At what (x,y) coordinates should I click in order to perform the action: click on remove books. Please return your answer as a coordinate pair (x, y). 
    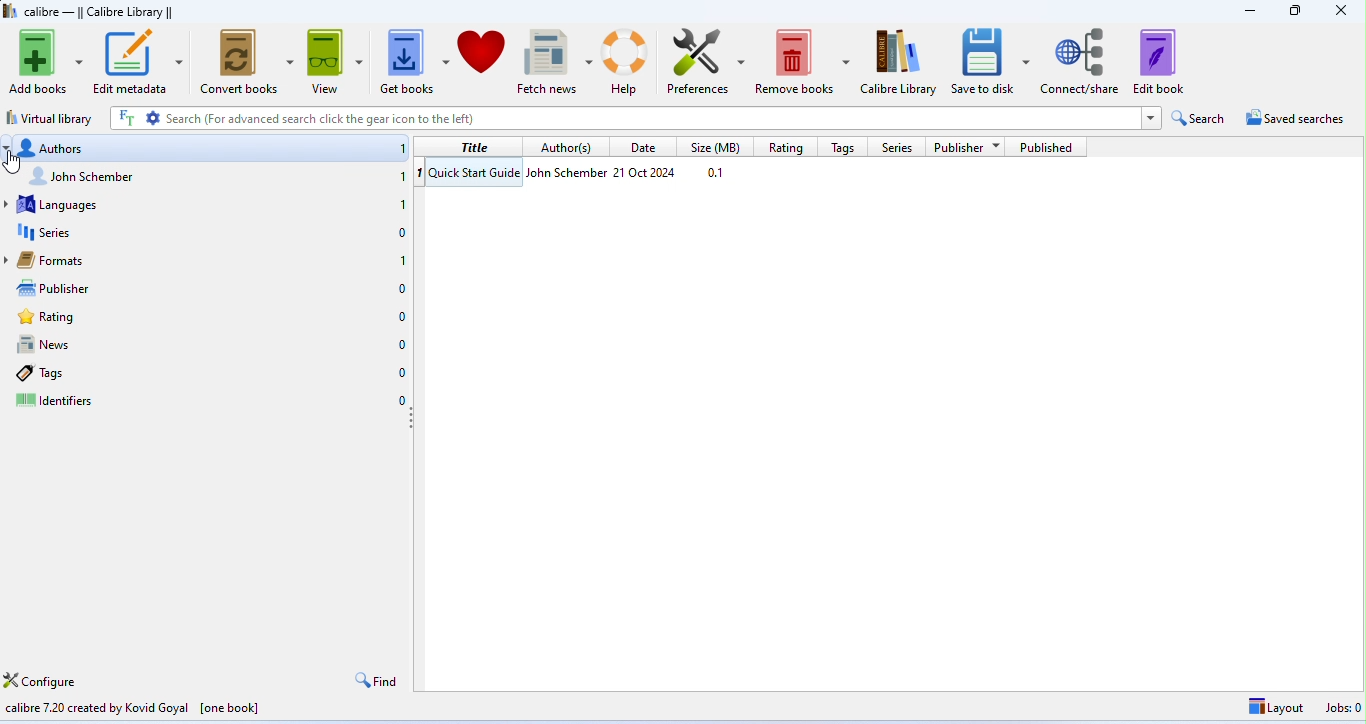
    Looking at the image, I should click on (803, 61).